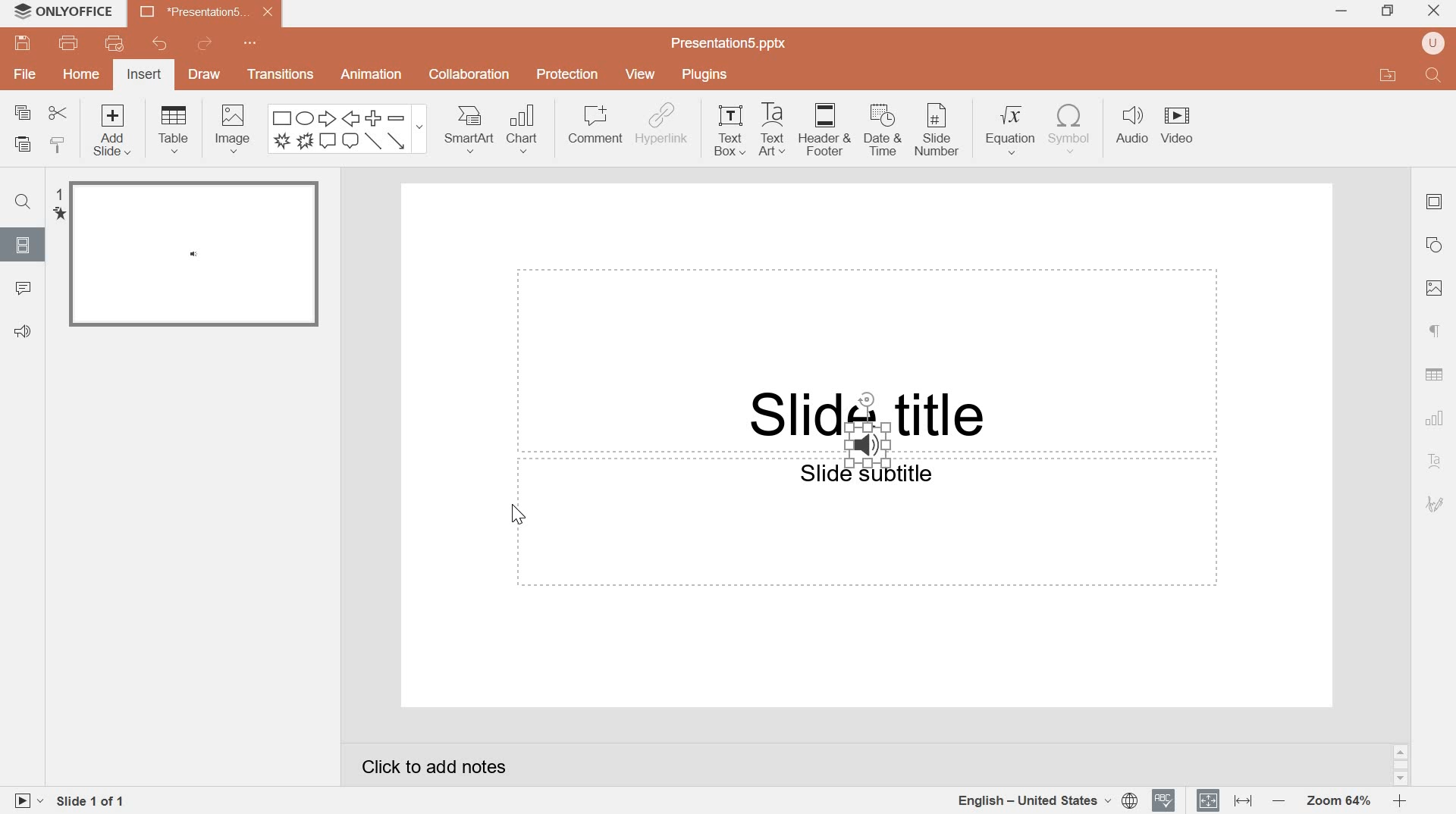 The height and width of the screenshot is (814, 1456). What do you see at coordinates (24, 75) in the screenshot?
I see `File` at bounding box center [24, 75].